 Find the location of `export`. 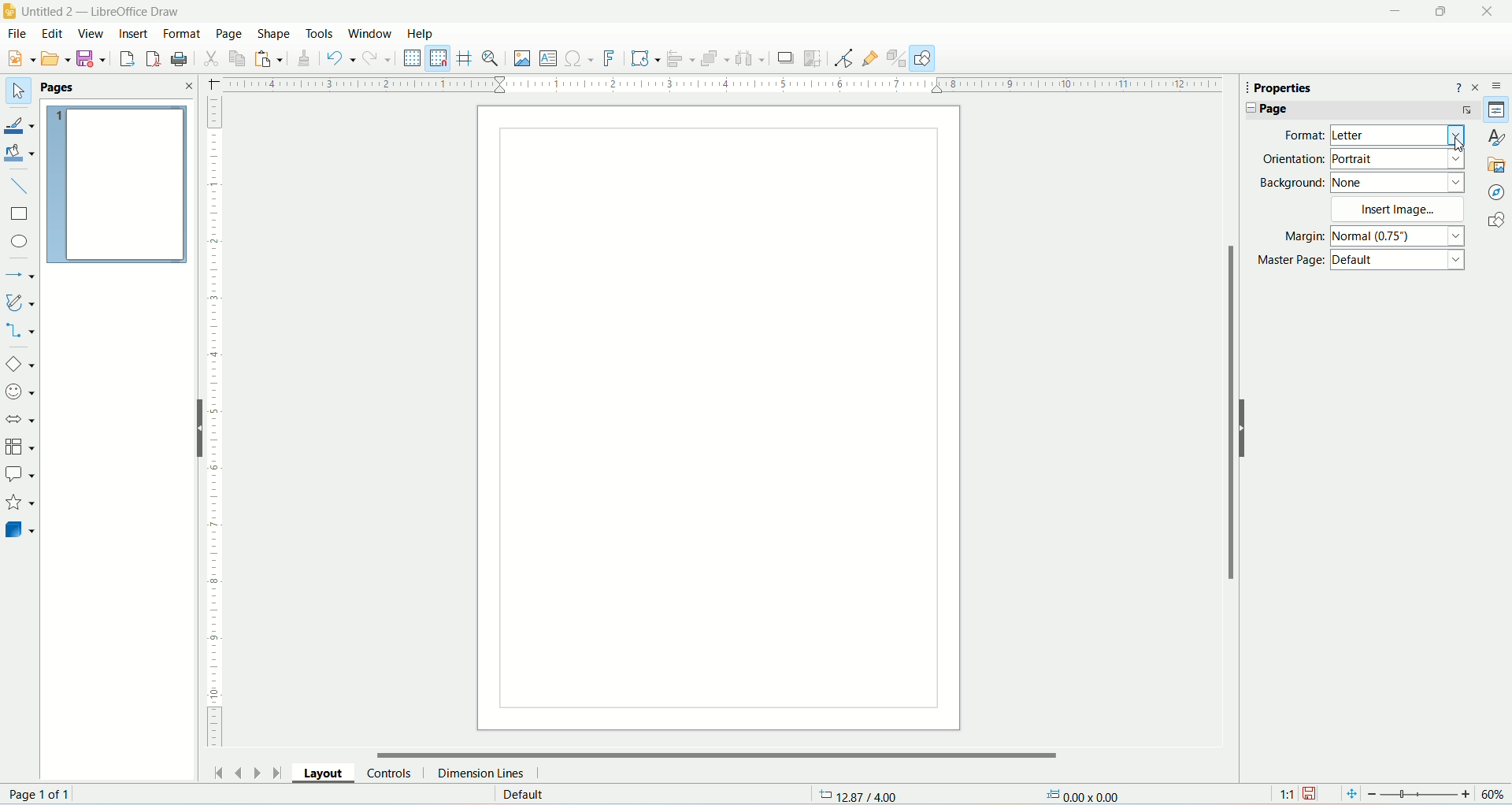

export is located at coordinates (126, 59).